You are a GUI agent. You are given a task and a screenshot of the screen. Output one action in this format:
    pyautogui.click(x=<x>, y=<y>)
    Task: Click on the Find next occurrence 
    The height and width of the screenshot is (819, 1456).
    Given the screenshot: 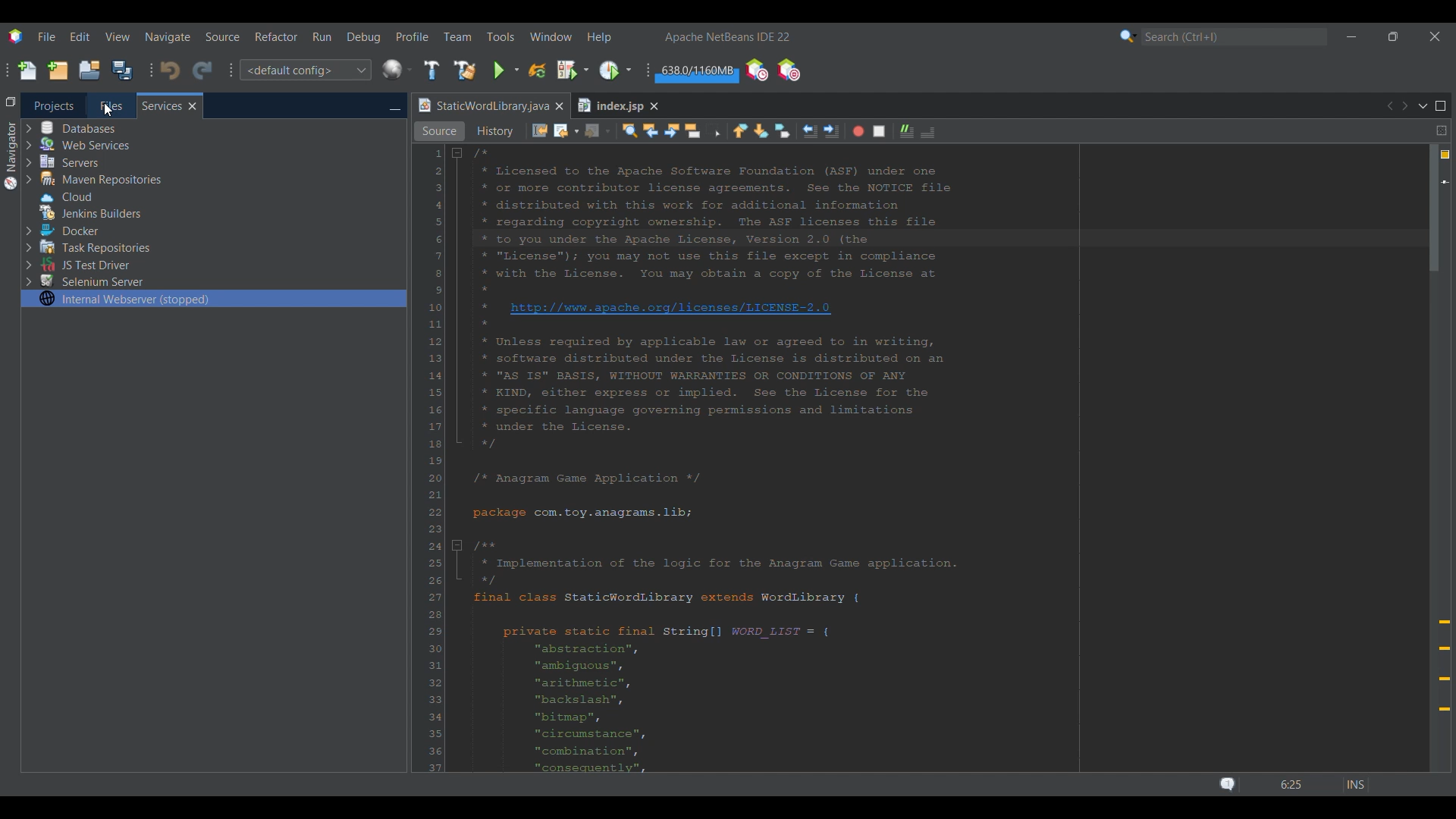 What is the action you would take?
    pyautogui.click(x=671, y=130)
    